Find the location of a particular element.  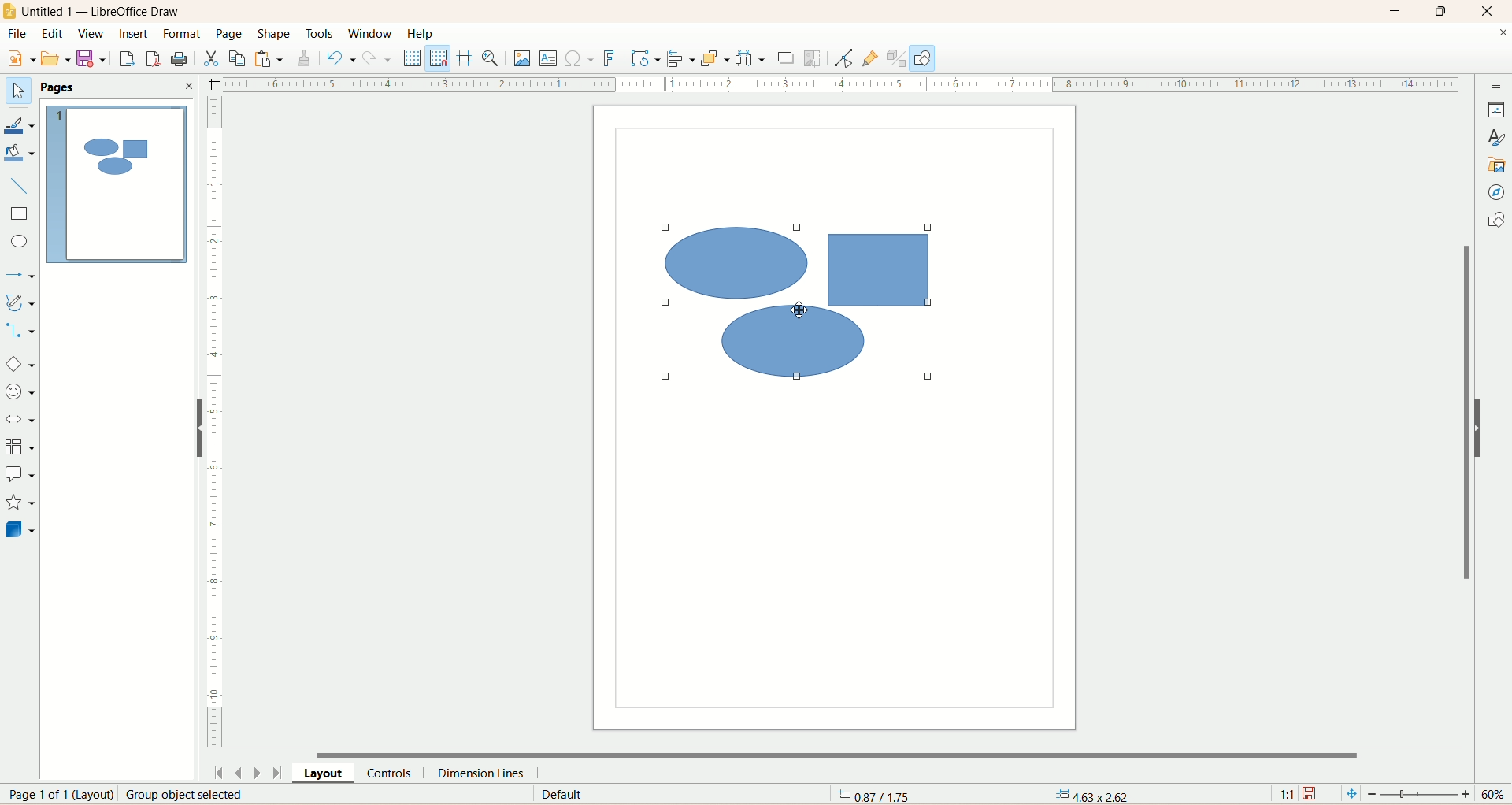

fit page is located at coordinates (1350, 795).